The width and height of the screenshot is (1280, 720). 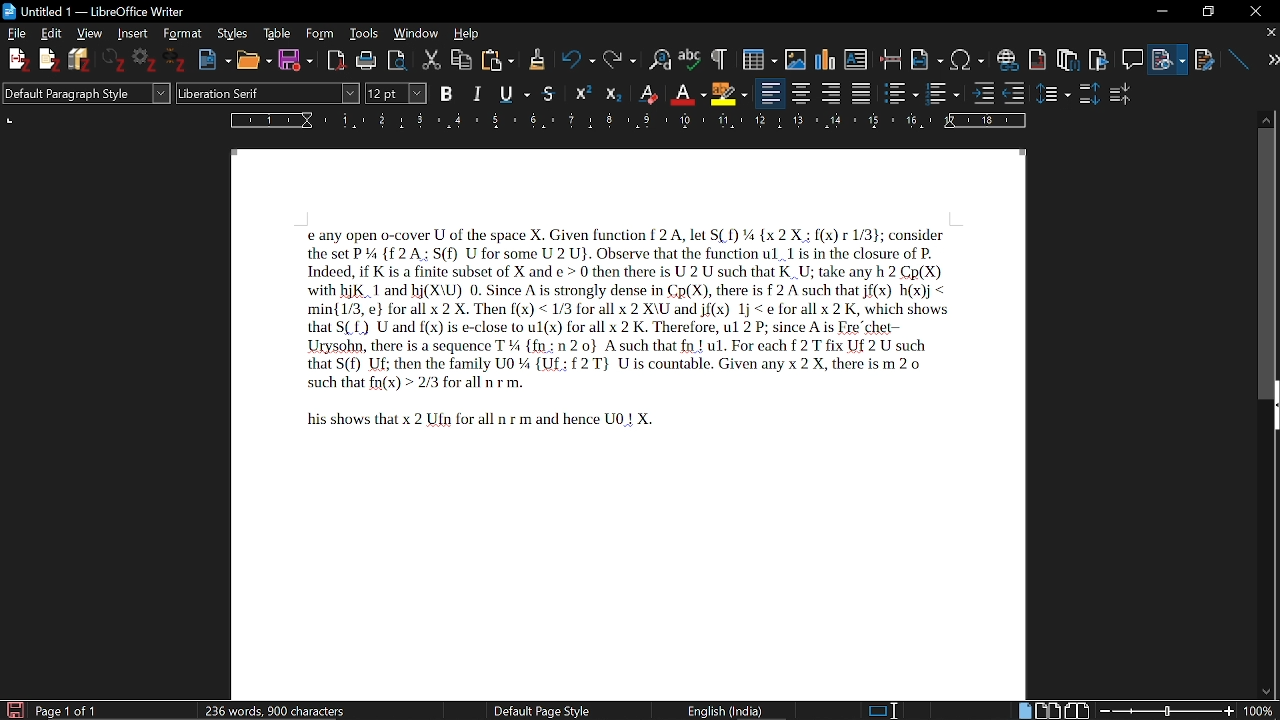 What do you see at coordinates (968, 58) in the screenshot?
I see `Insert symbol` at bounding box center [968, 58].